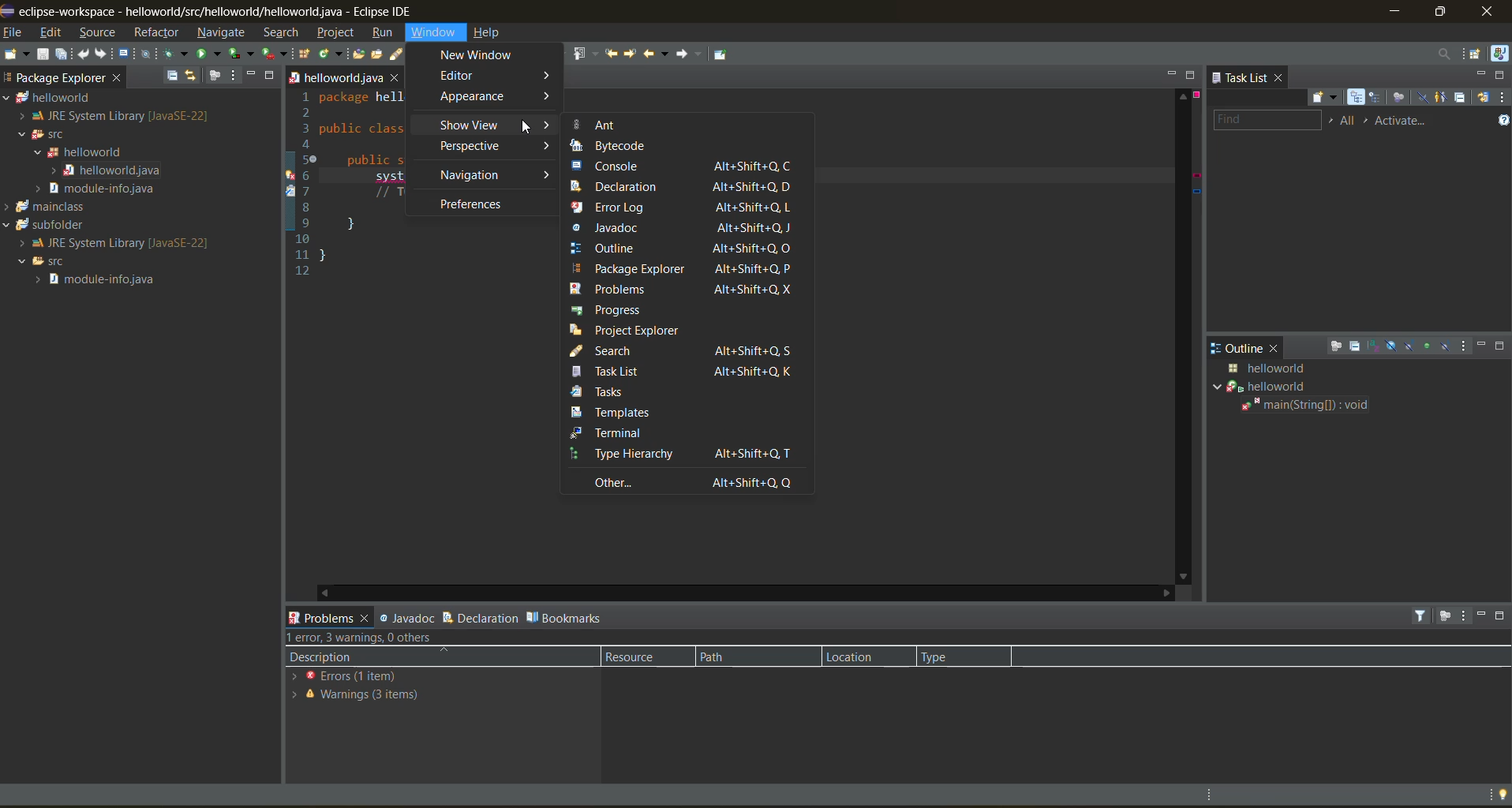 This screenshot has height=808, width=1512. Describe the element at coordinates (360, 54) in the screenshot. I see `open type` at that location.